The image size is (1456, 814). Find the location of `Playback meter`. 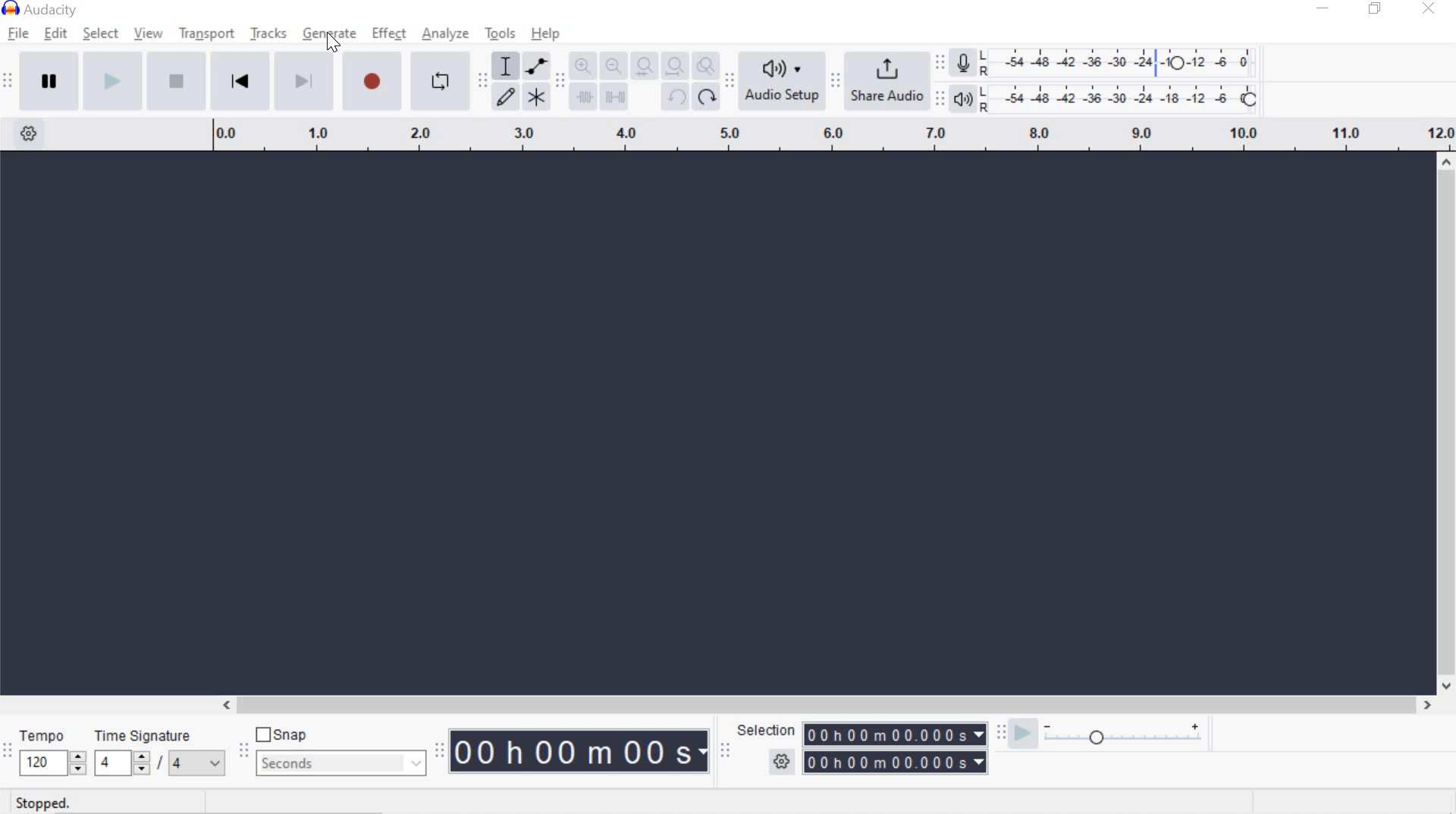

Playback meter is located at coordinates (962, 99).